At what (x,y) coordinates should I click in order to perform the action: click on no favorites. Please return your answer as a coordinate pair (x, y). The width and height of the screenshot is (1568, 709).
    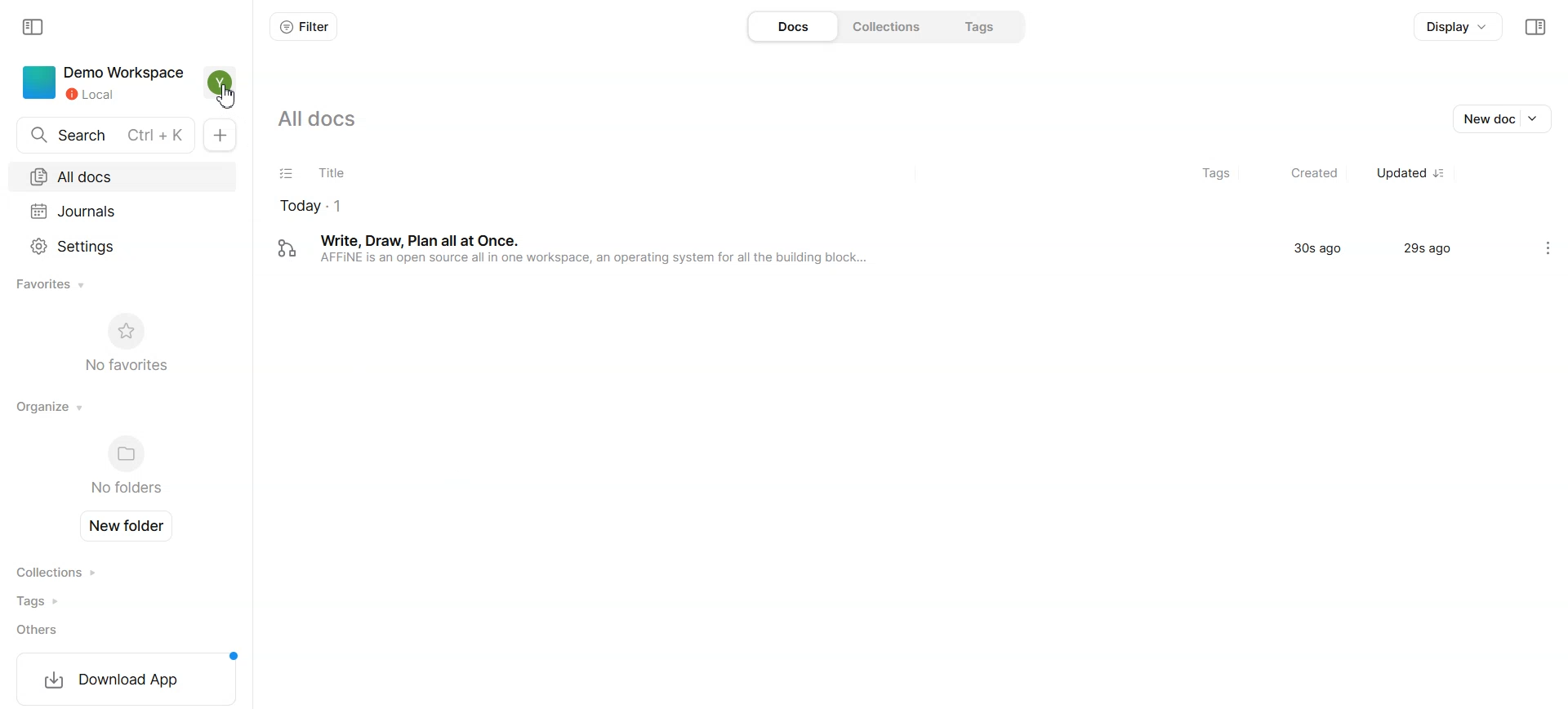
    Looking at the image, I should click on (125, 341).